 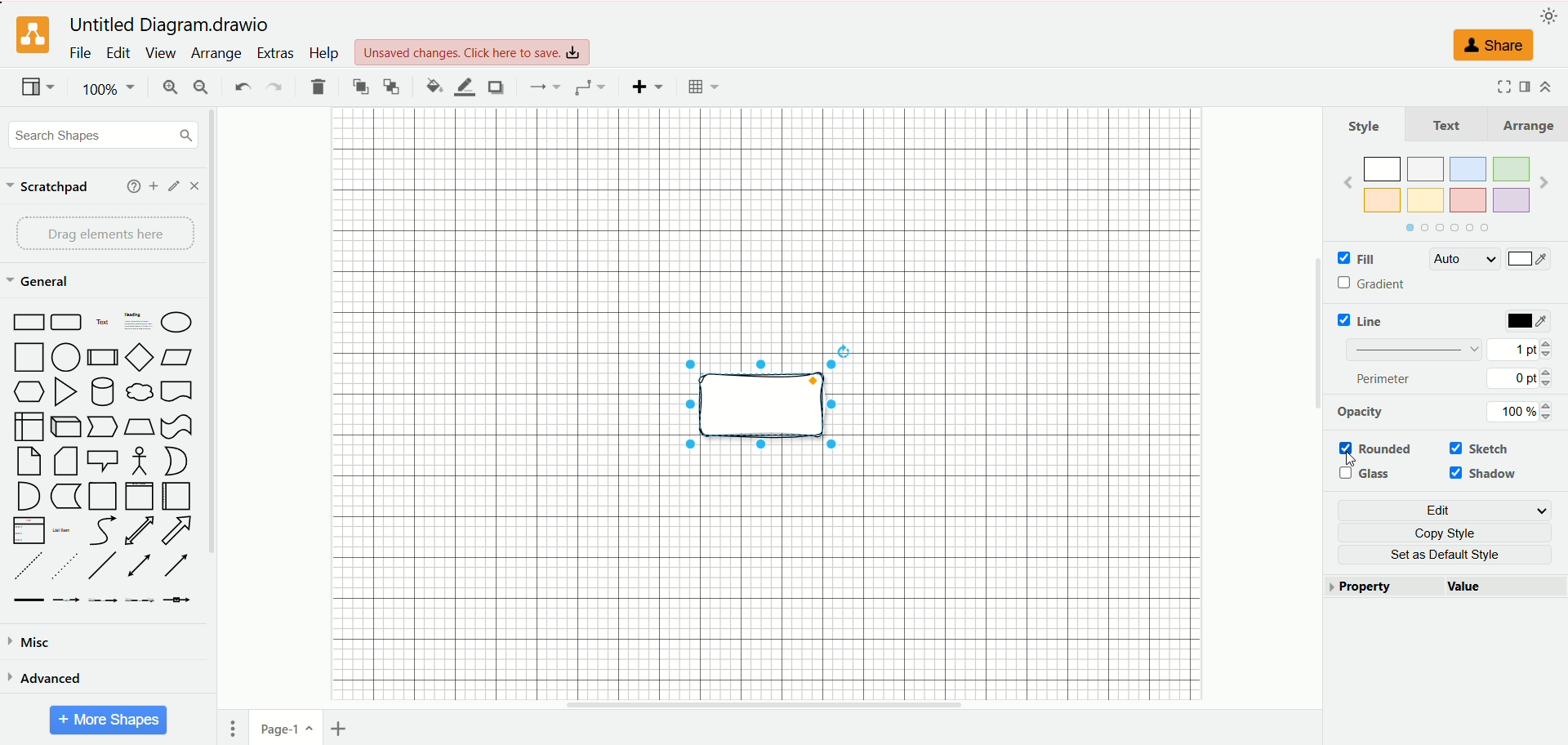 I want to click on pages, so click(x=233, y=729).